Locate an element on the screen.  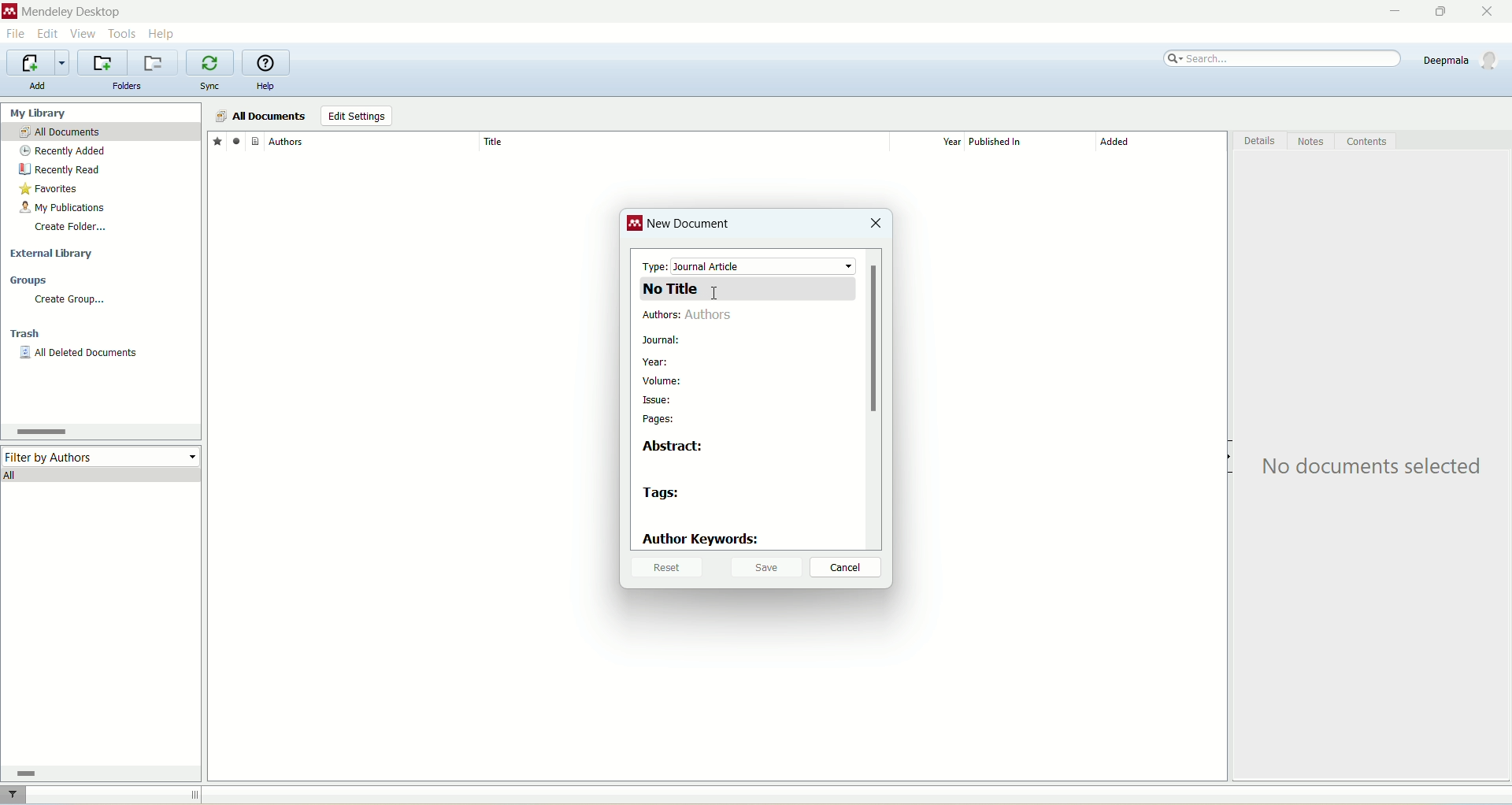
close is located at coordinates (875, 224).